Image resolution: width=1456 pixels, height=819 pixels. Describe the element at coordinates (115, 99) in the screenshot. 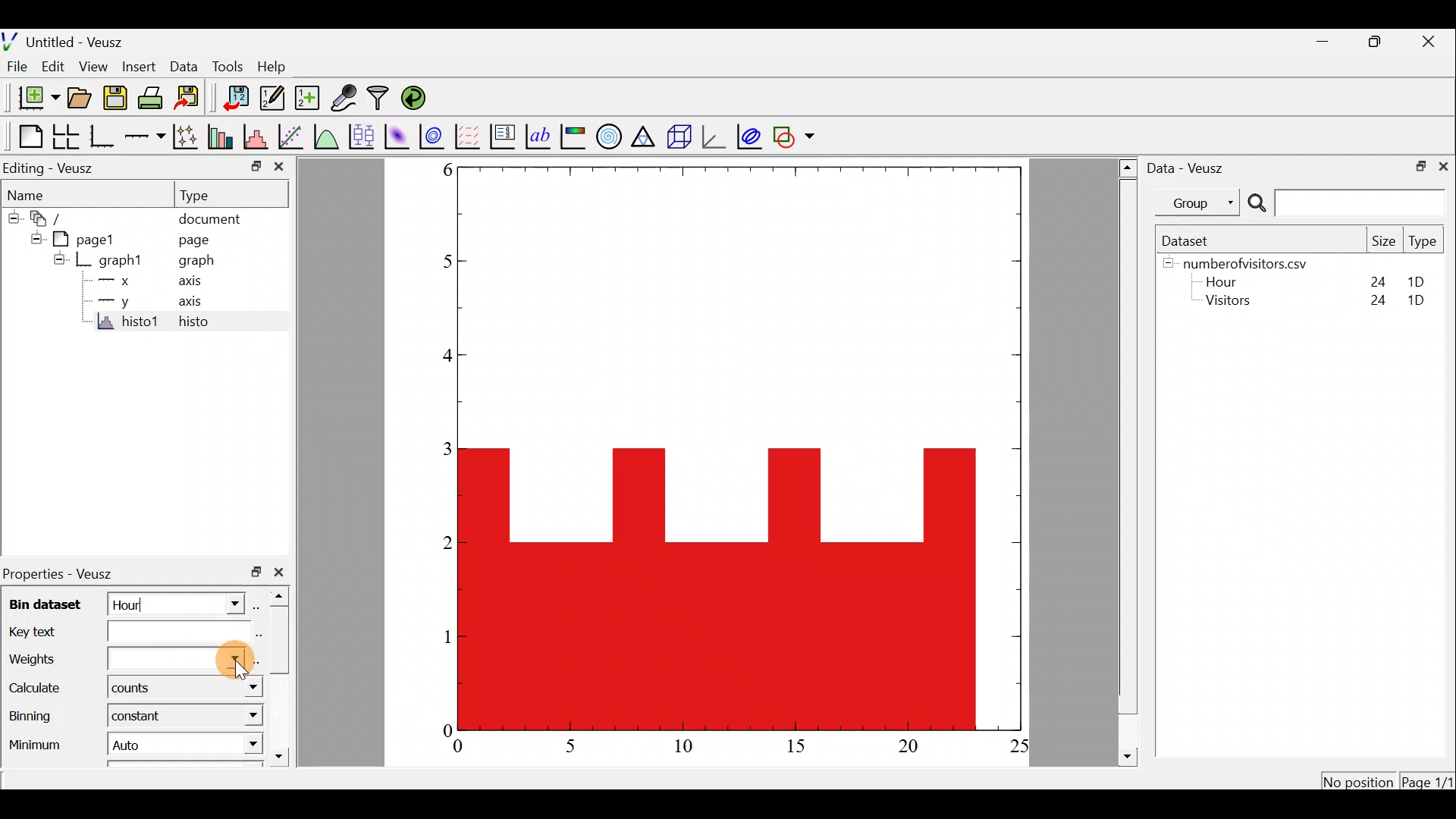

I see `save the document` at that location.